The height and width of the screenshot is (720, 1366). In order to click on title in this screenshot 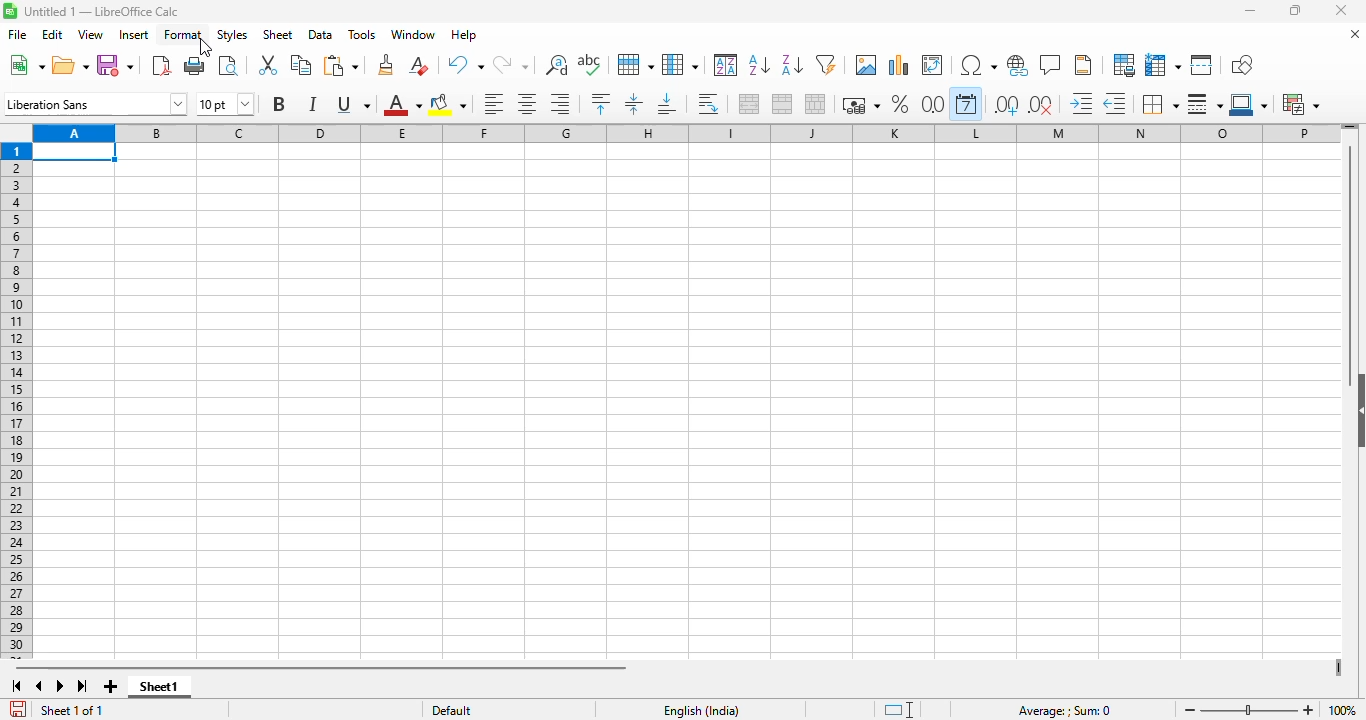, I will do `click(102, 11)`.